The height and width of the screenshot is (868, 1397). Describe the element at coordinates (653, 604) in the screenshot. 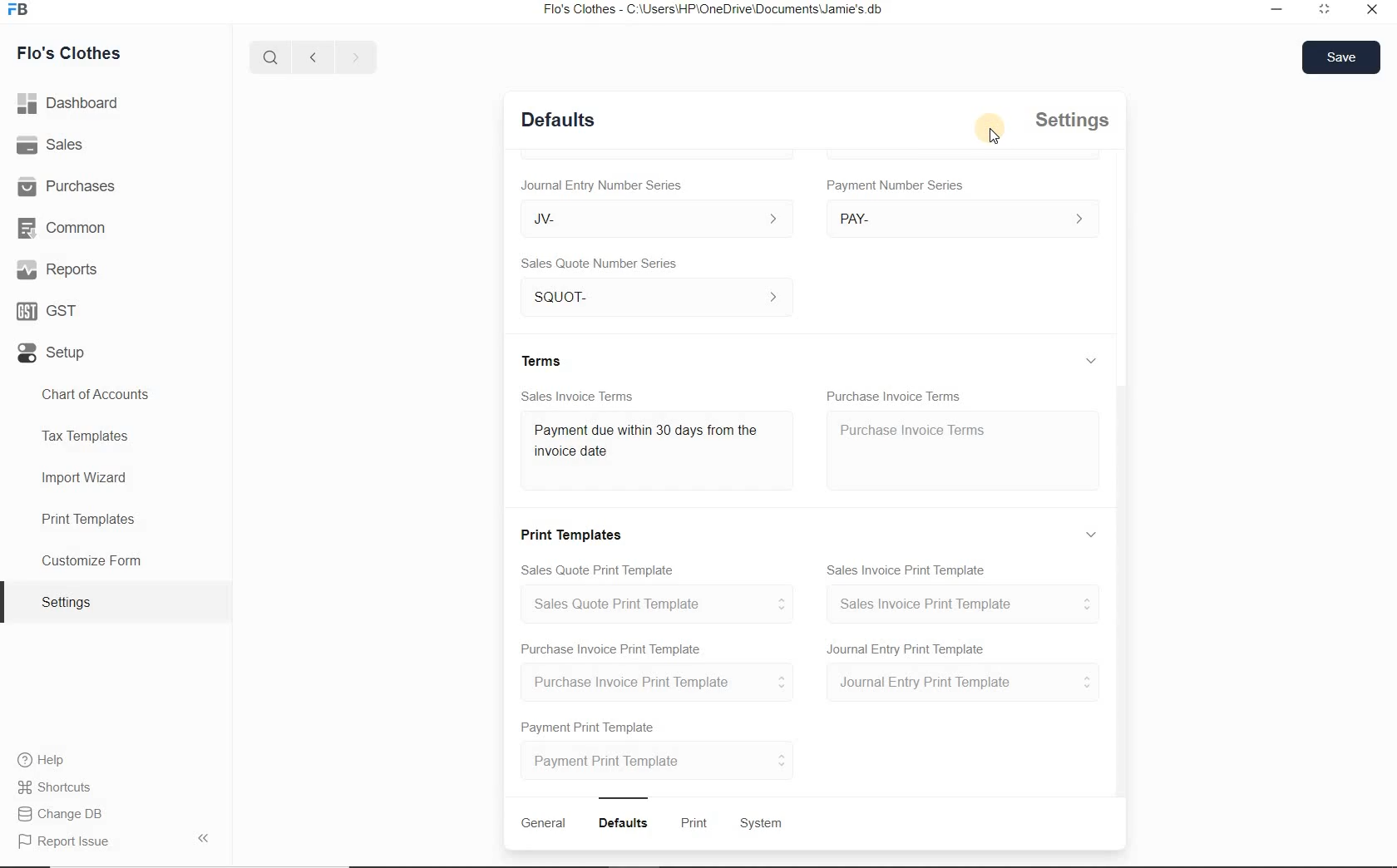

I see `Sales Quote Print Template` at that location.